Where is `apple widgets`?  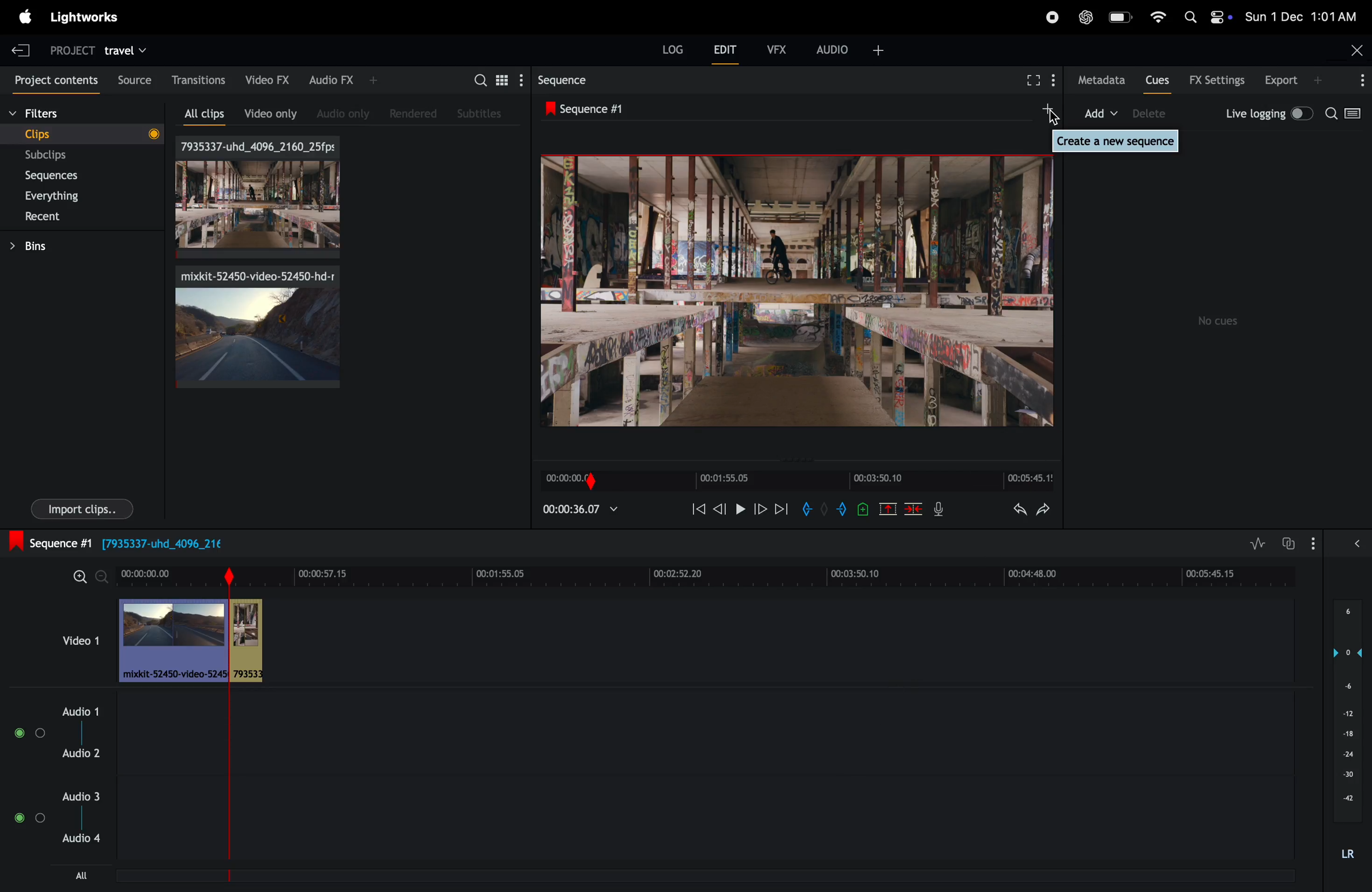
apple widgets is located at coordinates (1203, 18).